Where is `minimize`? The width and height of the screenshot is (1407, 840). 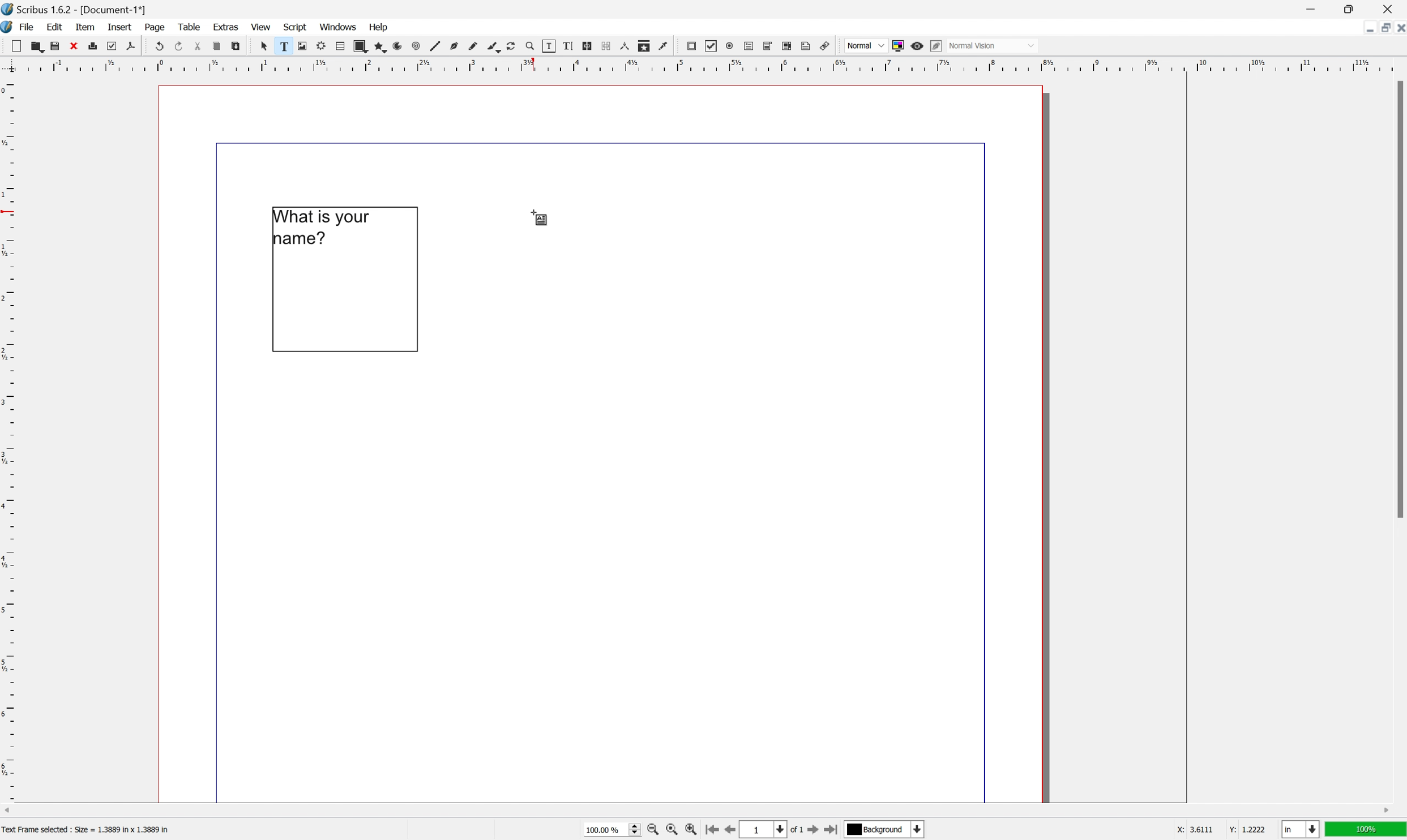
minimize is located at coordinates (1364, 28).